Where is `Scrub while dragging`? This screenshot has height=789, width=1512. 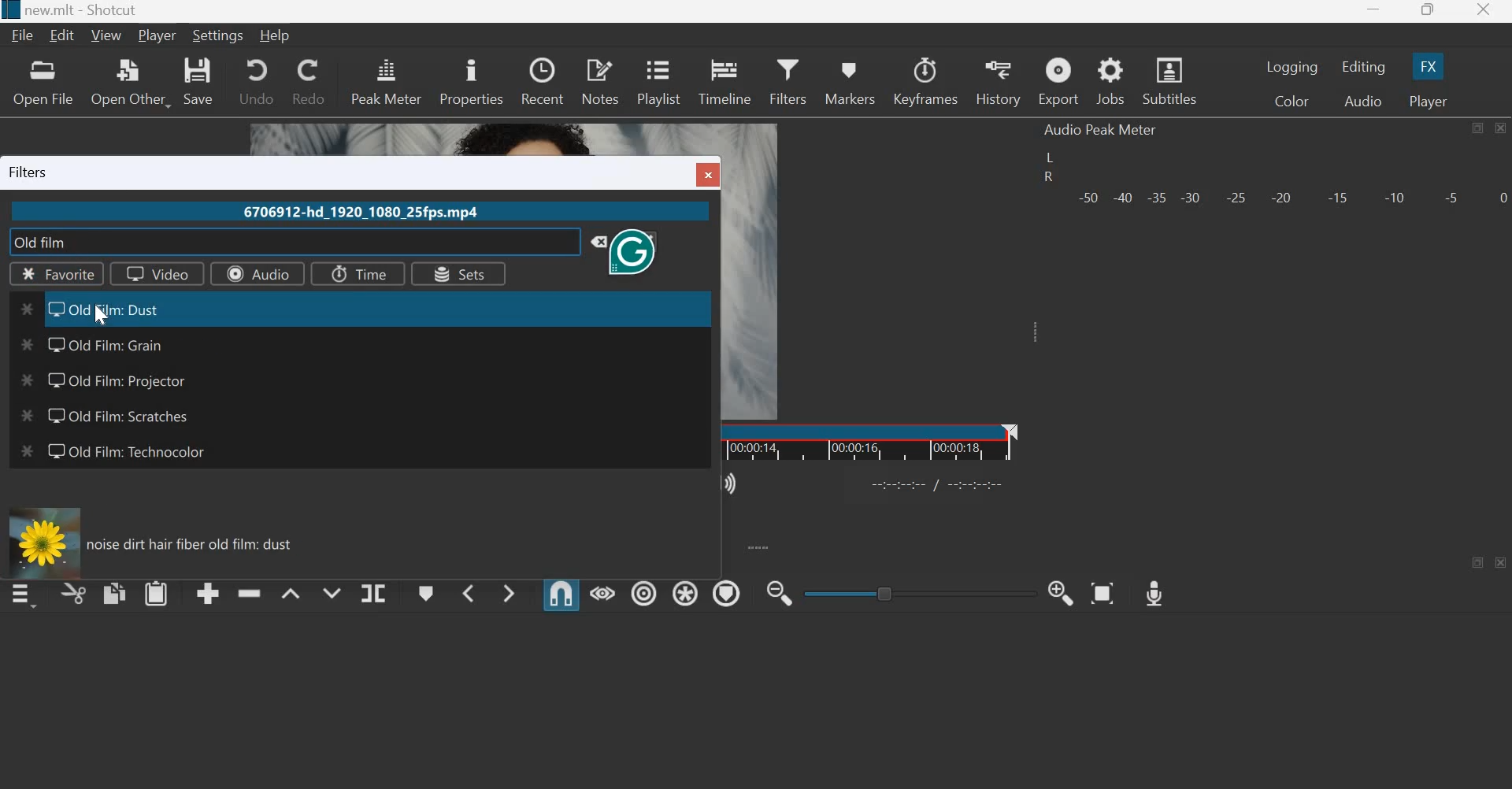
Scrub while dragging is located at coordinates (603, 593).